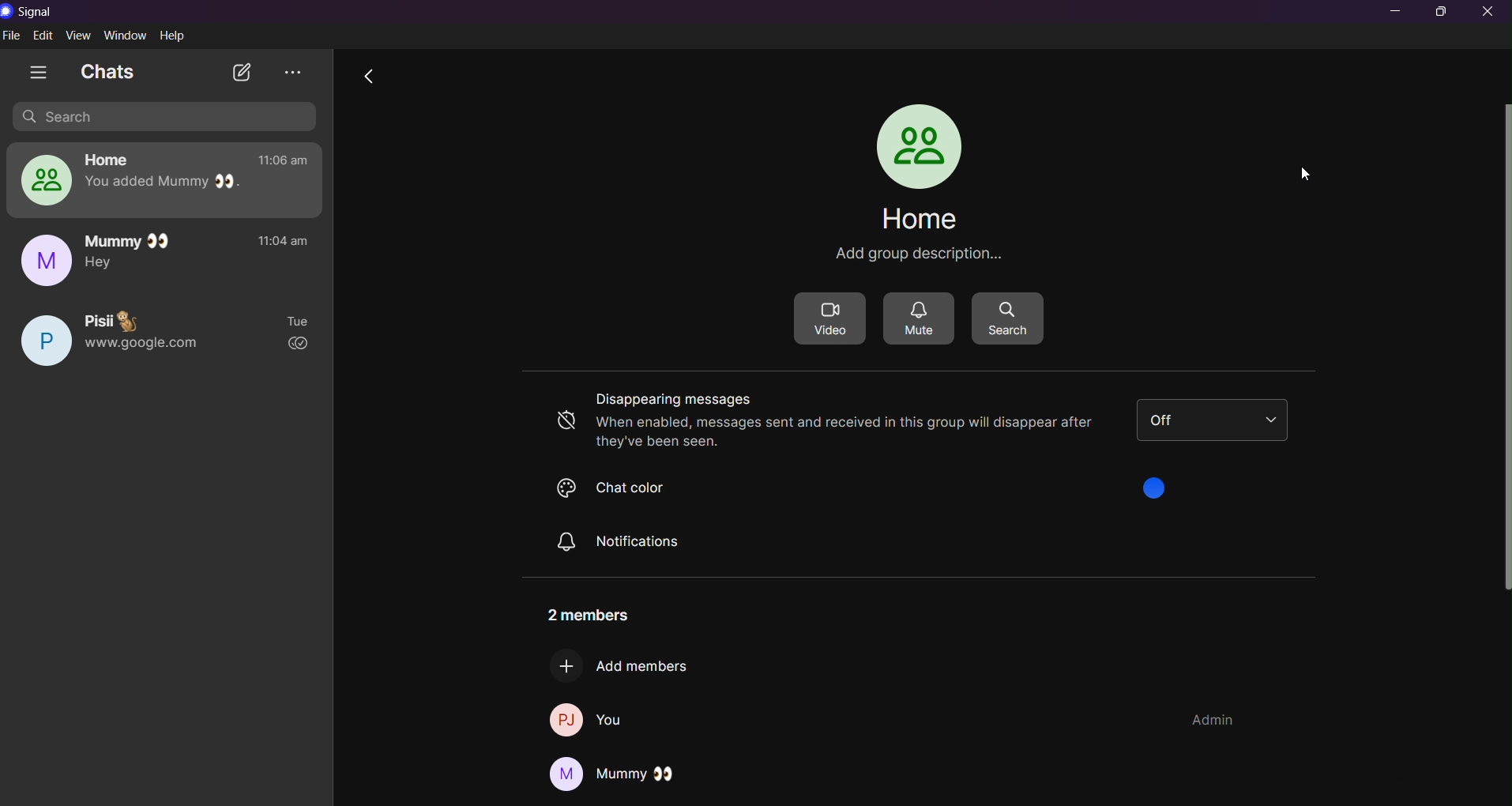  Describe the element at coordinates (1490, 13) in the screenshot. I see `close` at that location.